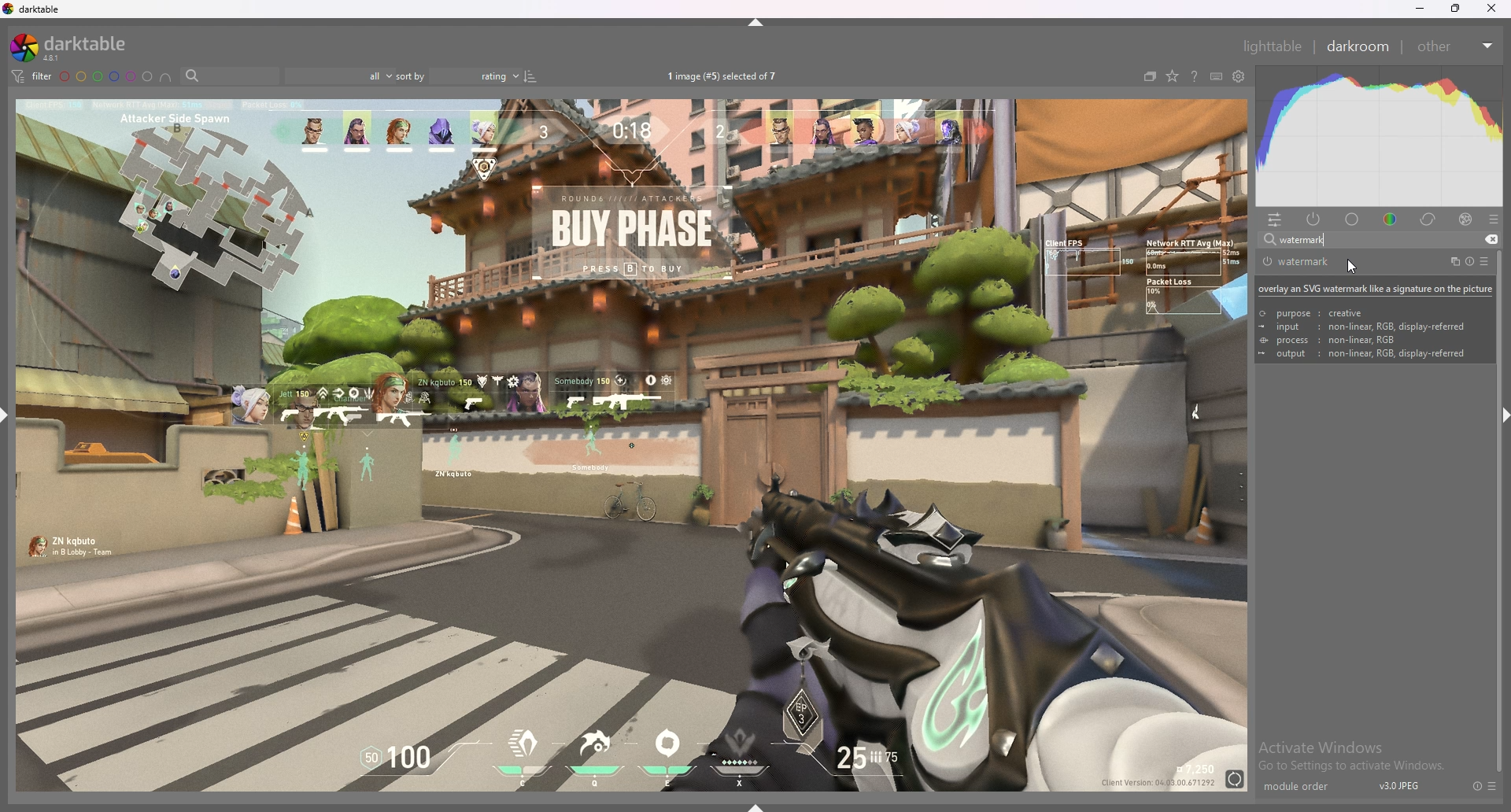  What do you see at coordinates (165, 77) in the screenshot?
I see `include color label` at bounding box center [165, 77].